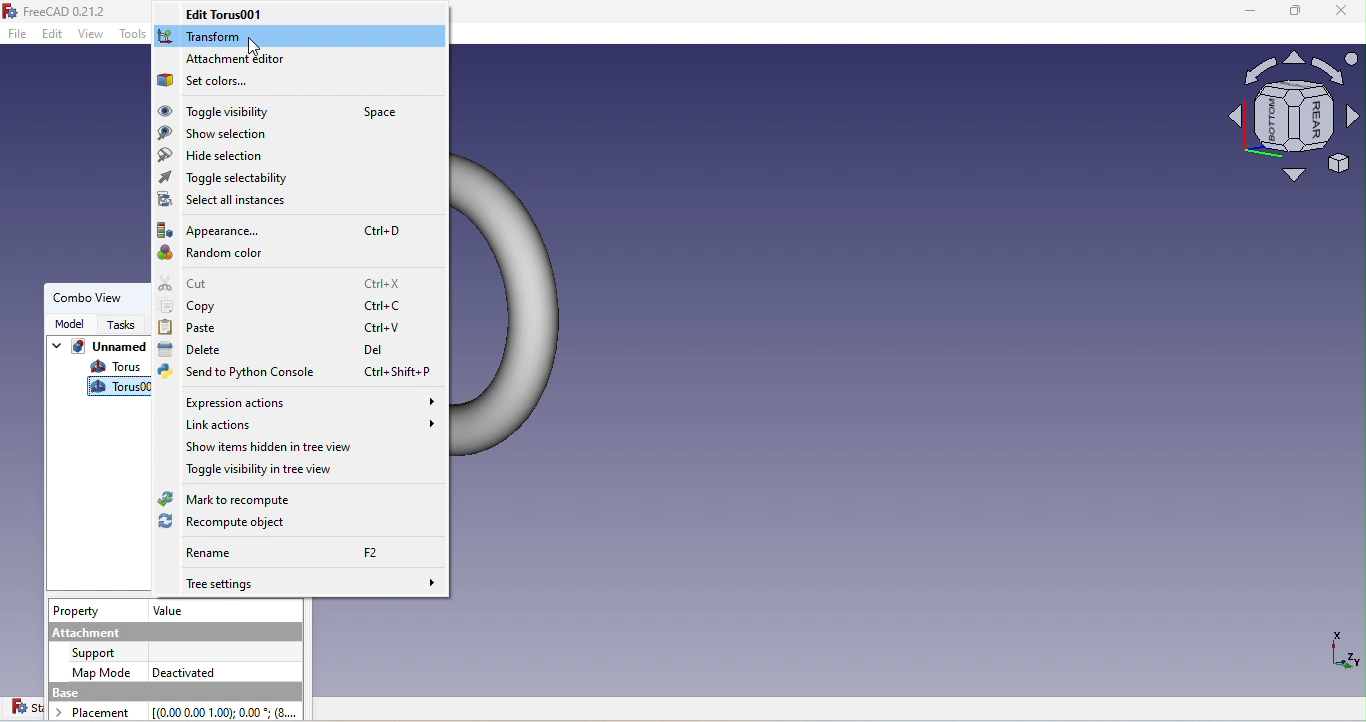 This screenshot has width=1366, height=722. I want to click on Attachment editor, so click(242, 59).